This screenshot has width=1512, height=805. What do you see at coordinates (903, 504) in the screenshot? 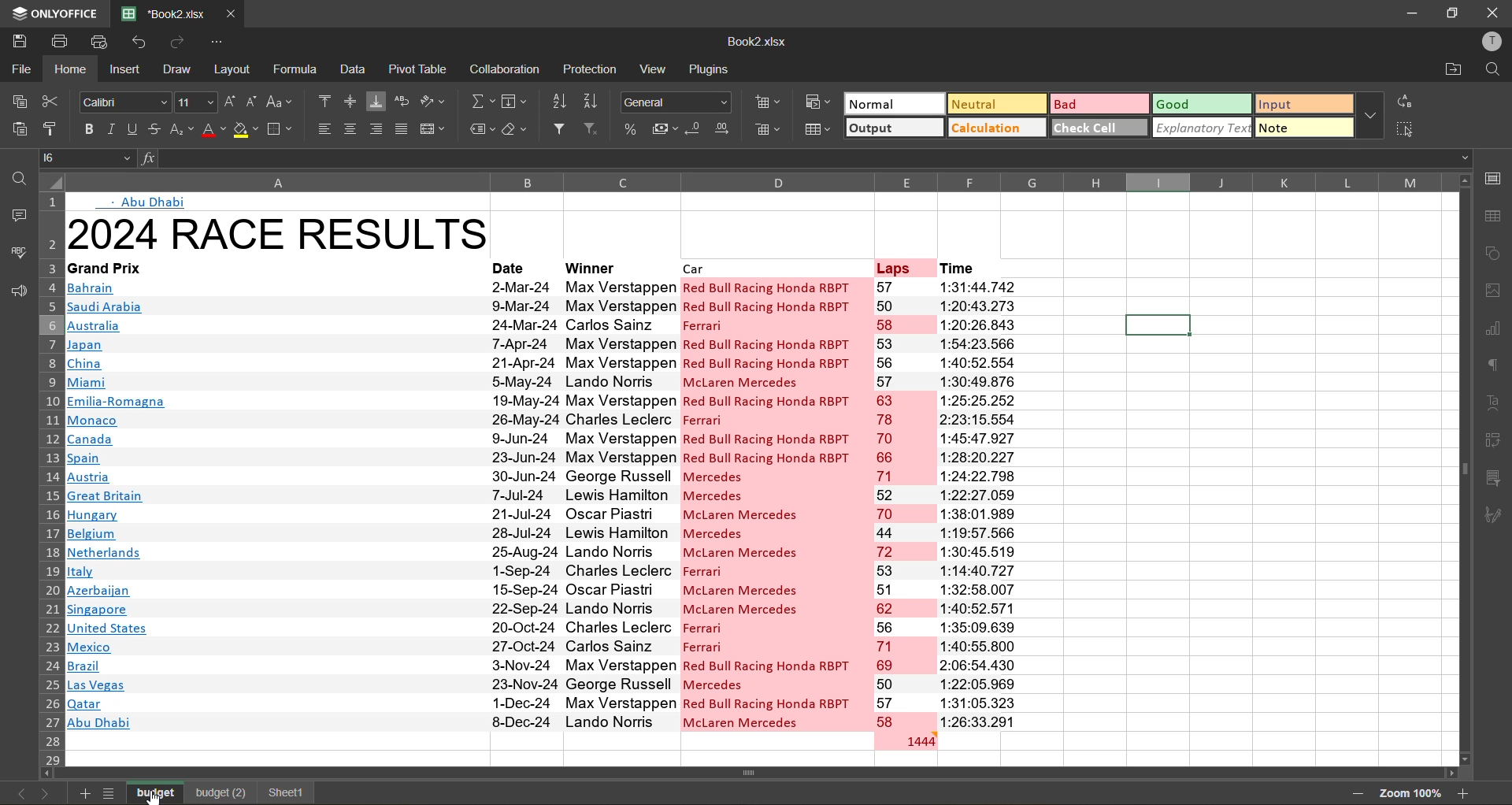
I see `laps` at bounding box center [903, 504].